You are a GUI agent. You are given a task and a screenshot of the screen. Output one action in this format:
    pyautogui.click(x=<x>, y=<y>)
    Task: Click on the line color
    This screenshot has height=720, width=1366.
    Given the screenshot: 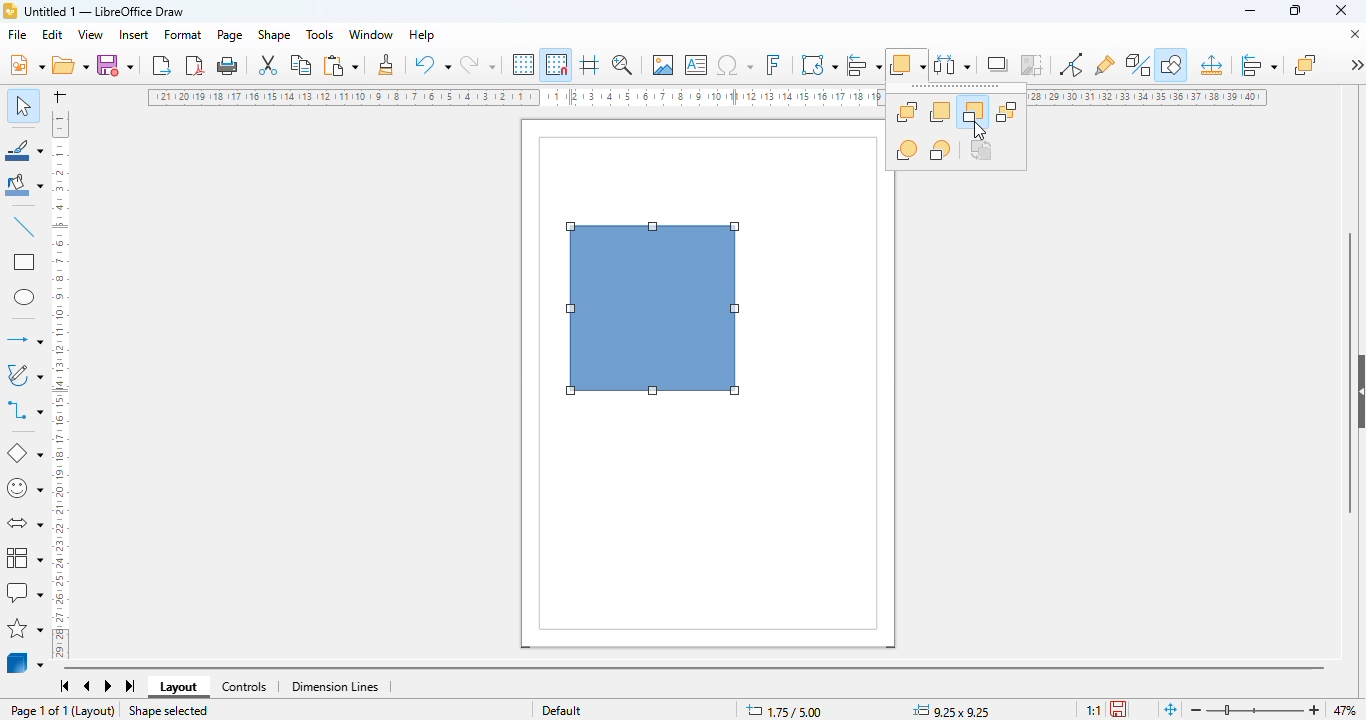 What is the action you would take?
    pyautogui.click(x=25, y=149)
    